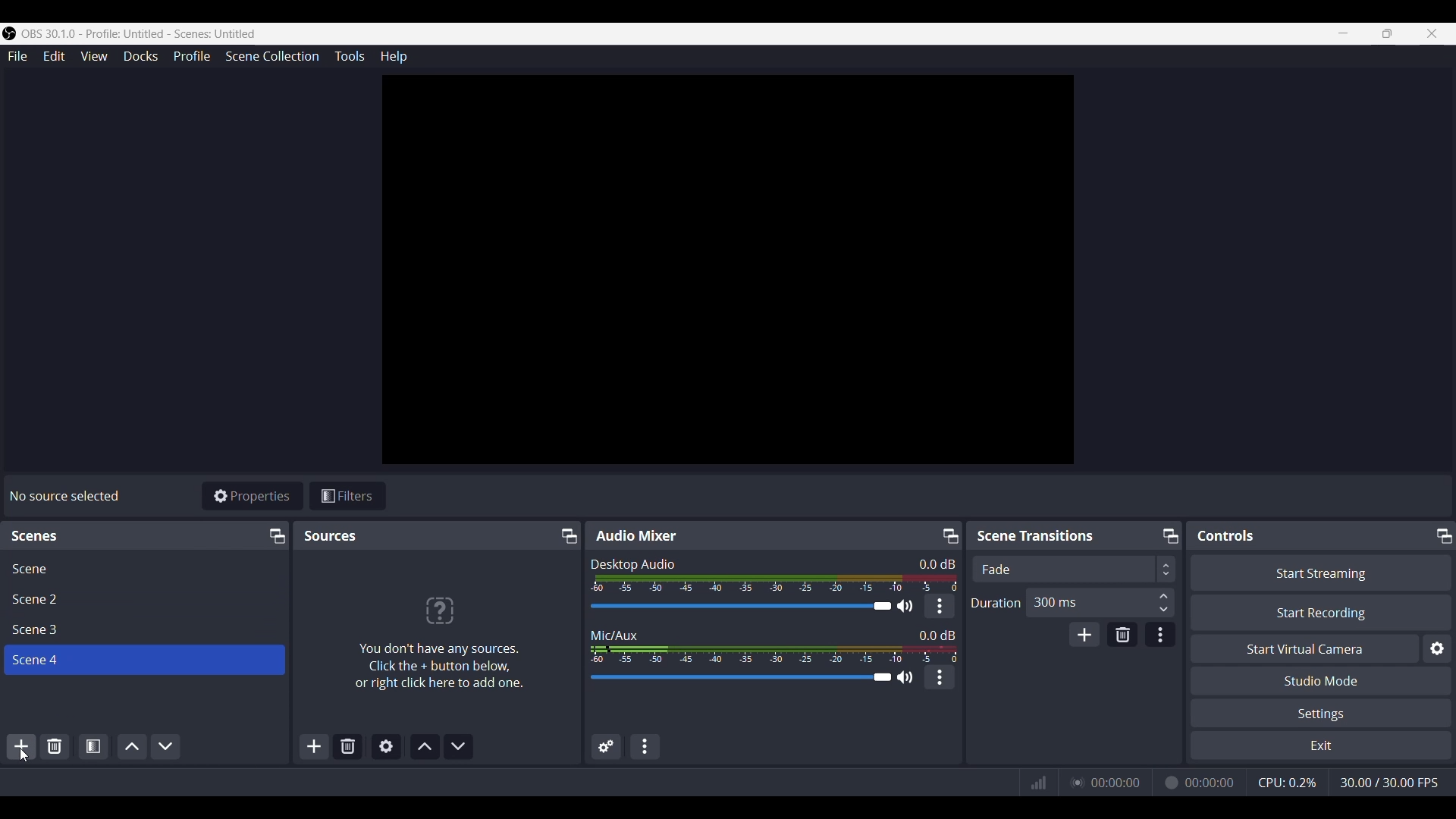 This screenshot has width=1456, height=819. What do you see at coordinates (773, 652) in the screenshot?
I see `Volume Indicator` at bounding box center [773, 652].